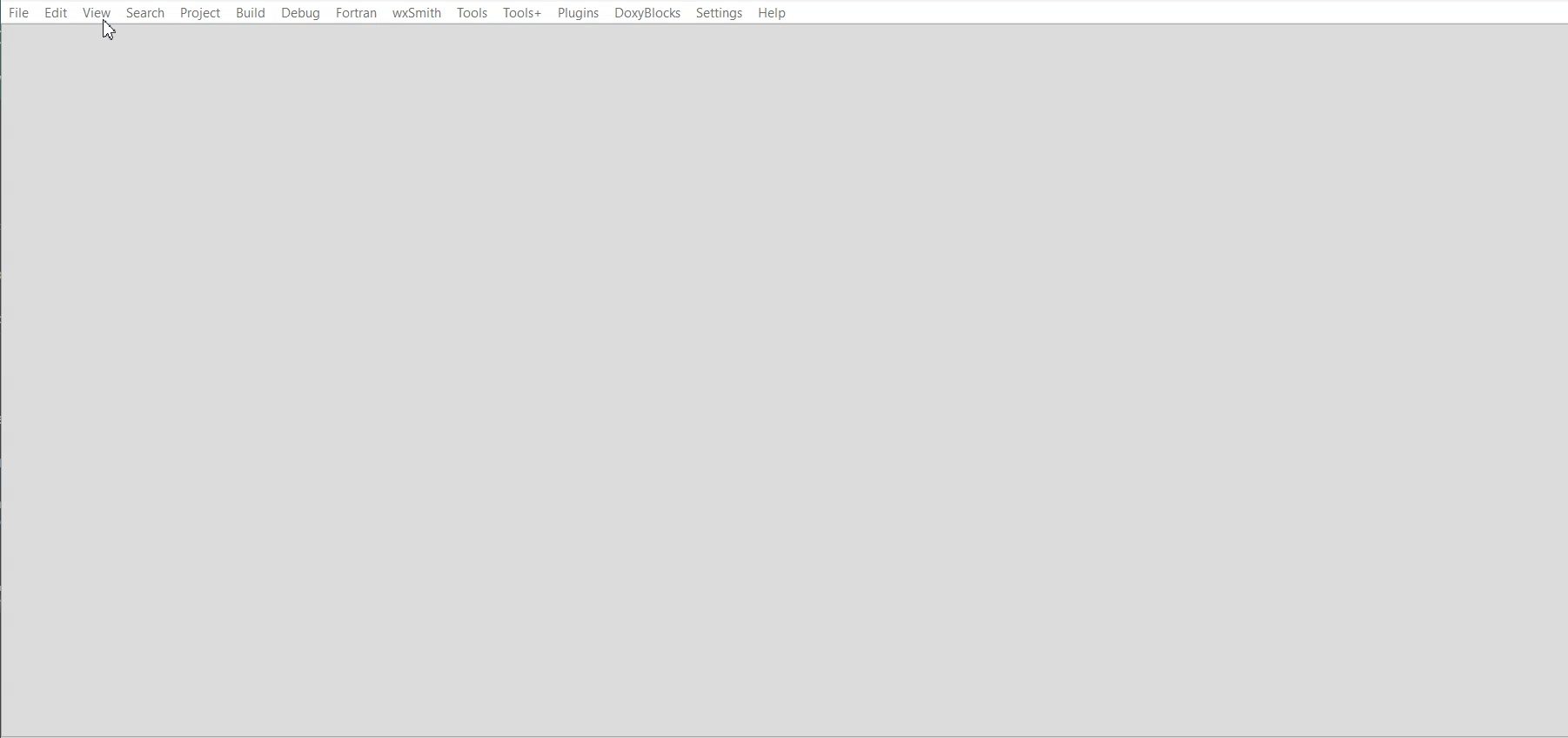  Describe the element at coordinates (302, 13) in the screenshot. I see `Debug` at that location.